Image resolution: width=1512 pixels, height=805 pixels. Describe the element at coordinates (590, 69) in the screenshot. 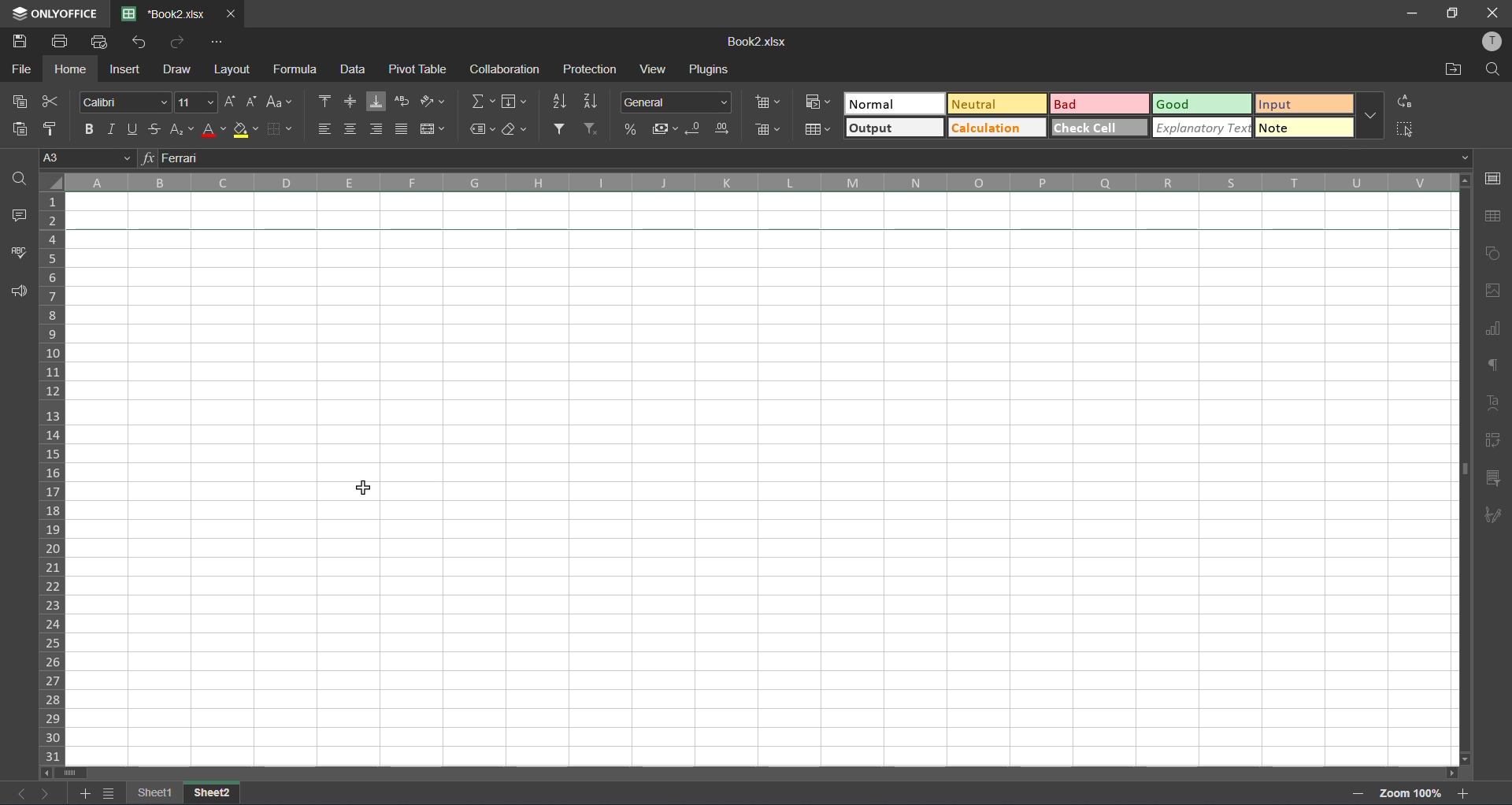

I see `protection` at that location.